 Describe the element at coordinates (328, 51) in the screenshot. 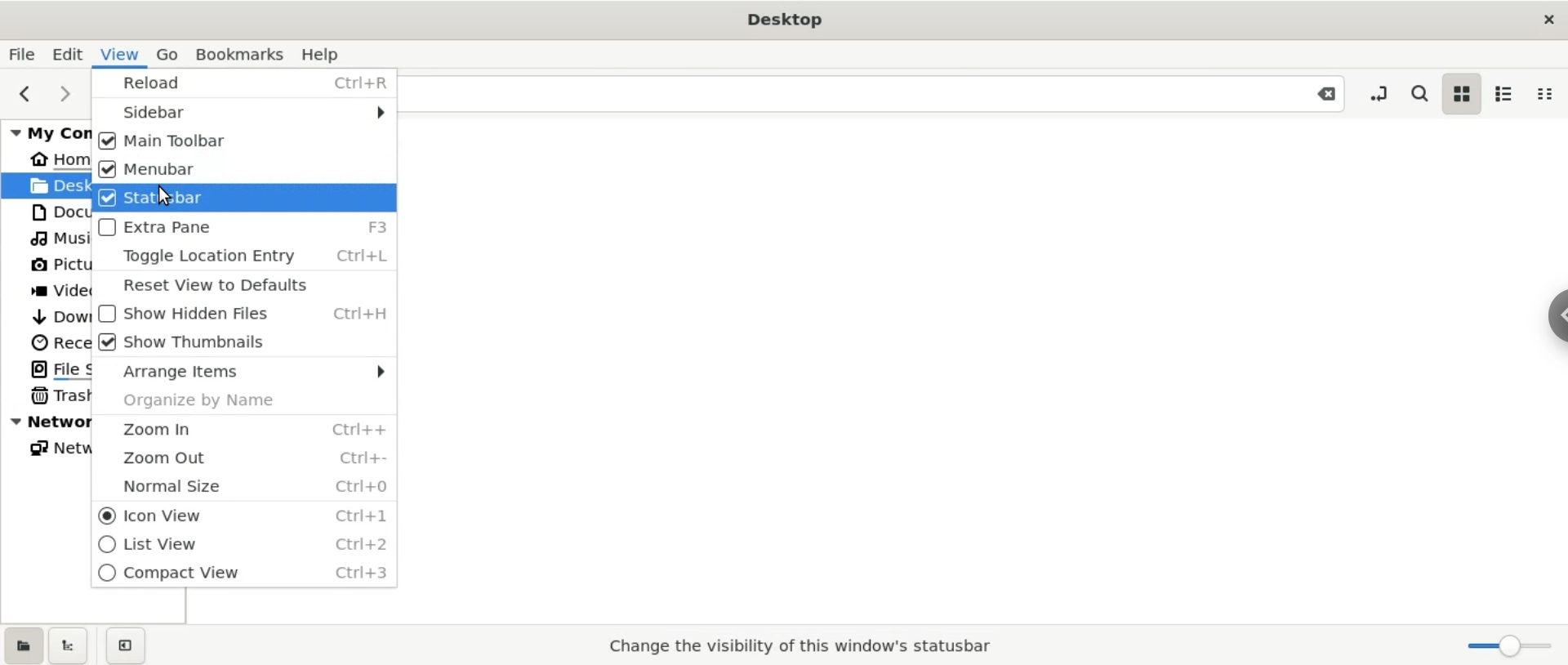

I see `Help` at that location.